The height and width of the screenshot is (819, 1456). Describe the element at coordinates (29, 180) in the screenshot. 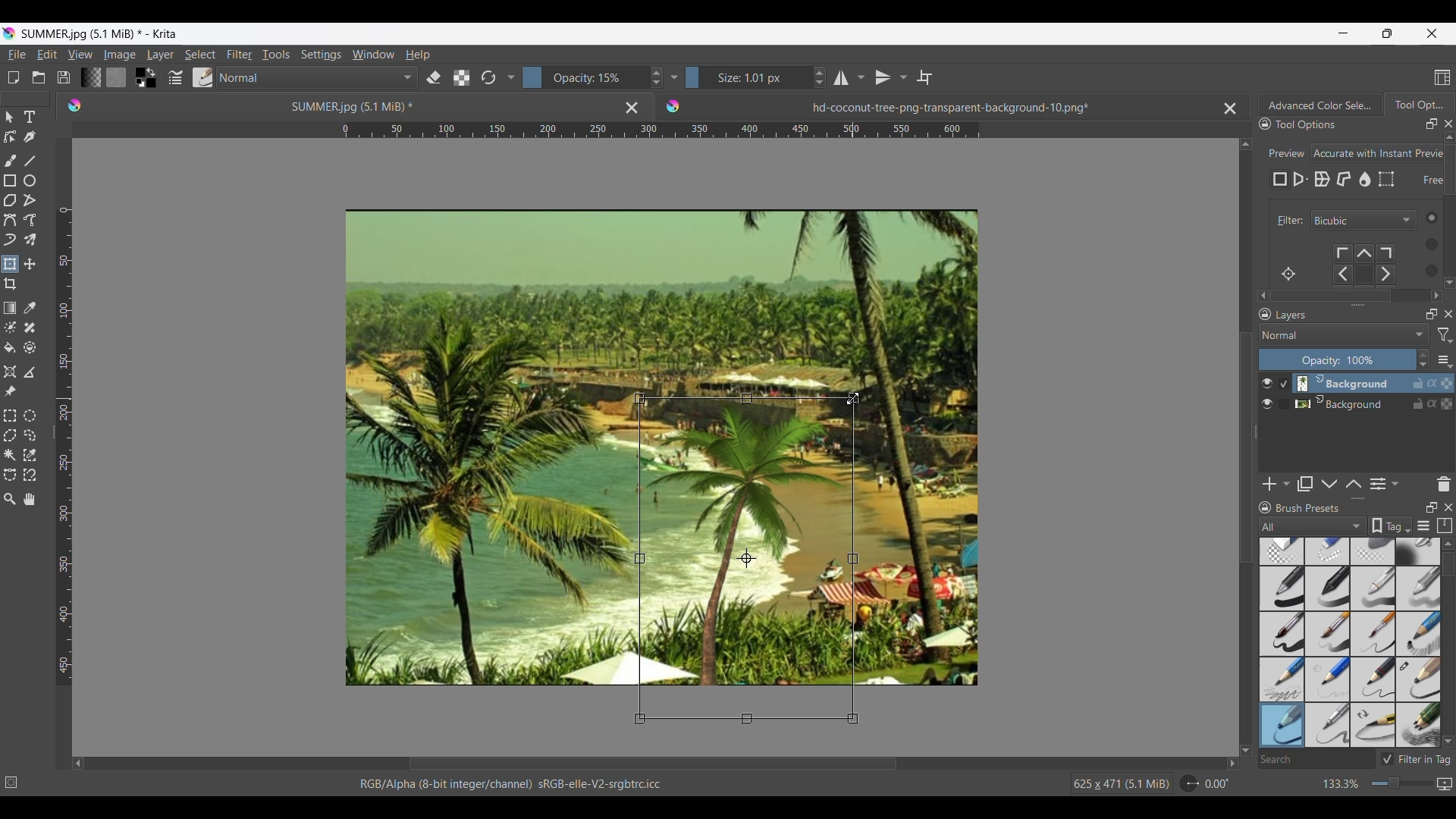

I see `Ellipse tool` at that location.